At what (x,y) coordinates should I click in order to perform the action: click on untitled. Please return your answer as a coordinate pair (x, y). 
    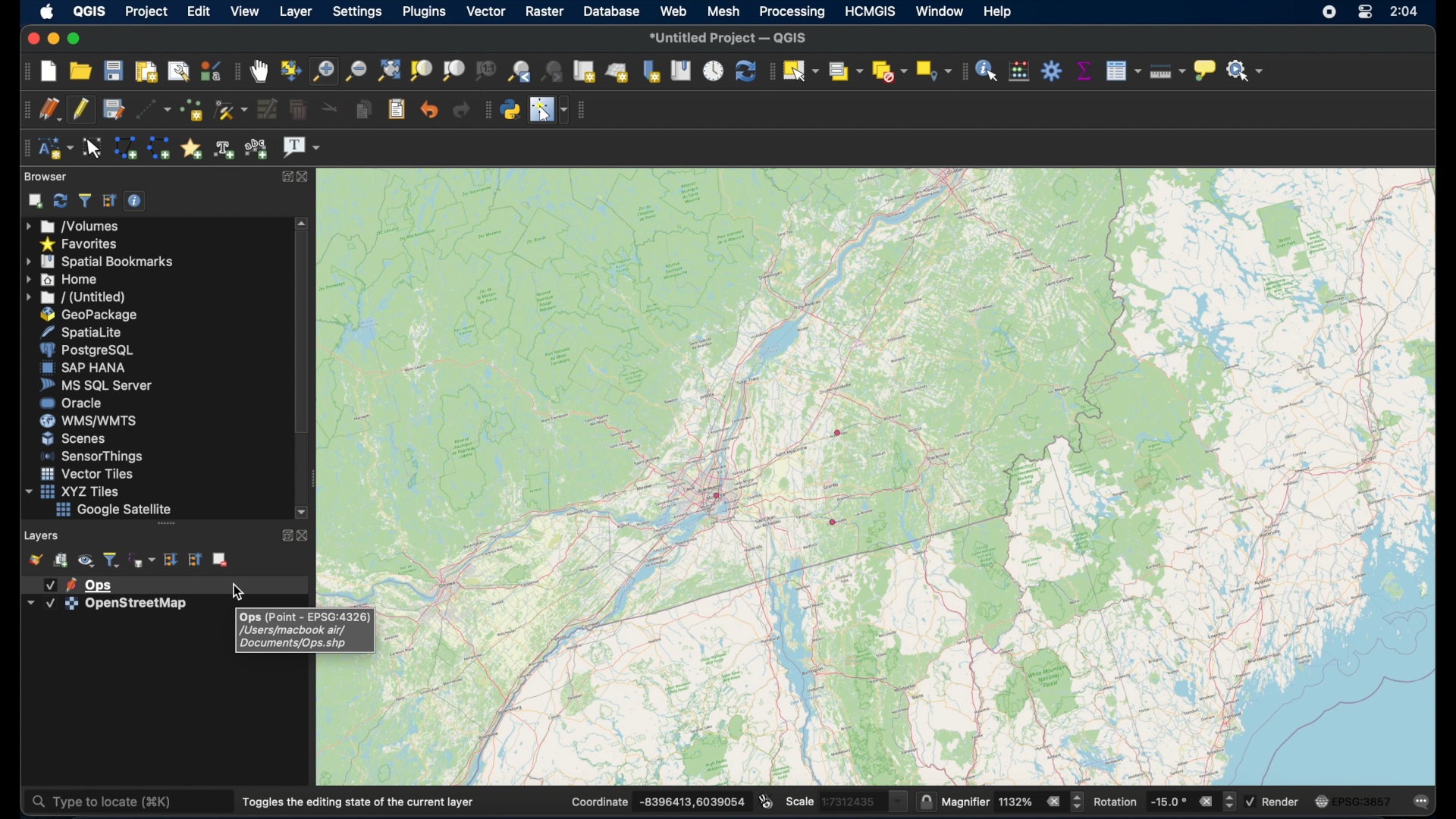
    Looking at the image, I should click on (74, 297).